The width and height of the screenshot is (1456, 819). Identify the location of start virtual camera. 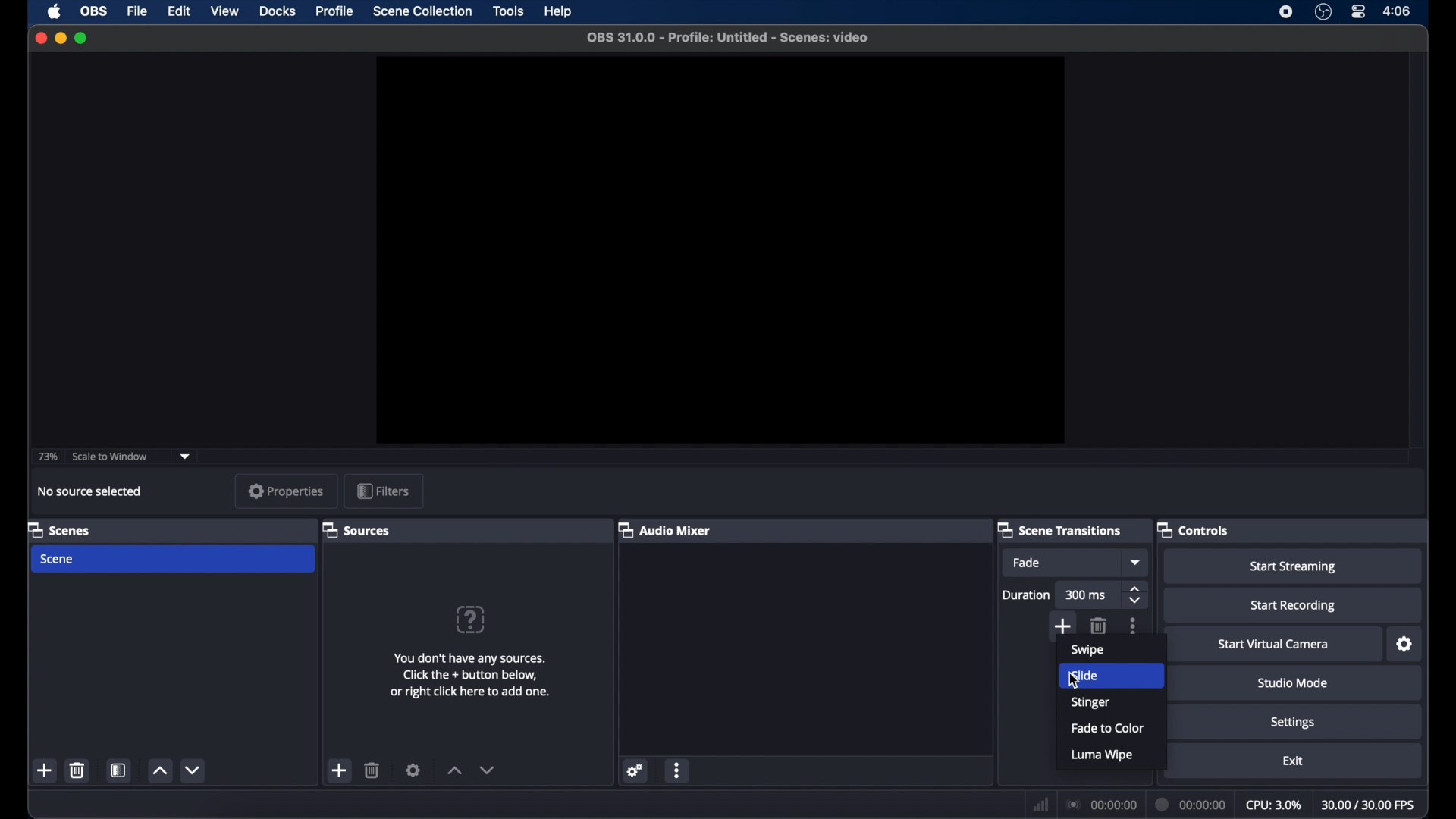
(1273, 645).